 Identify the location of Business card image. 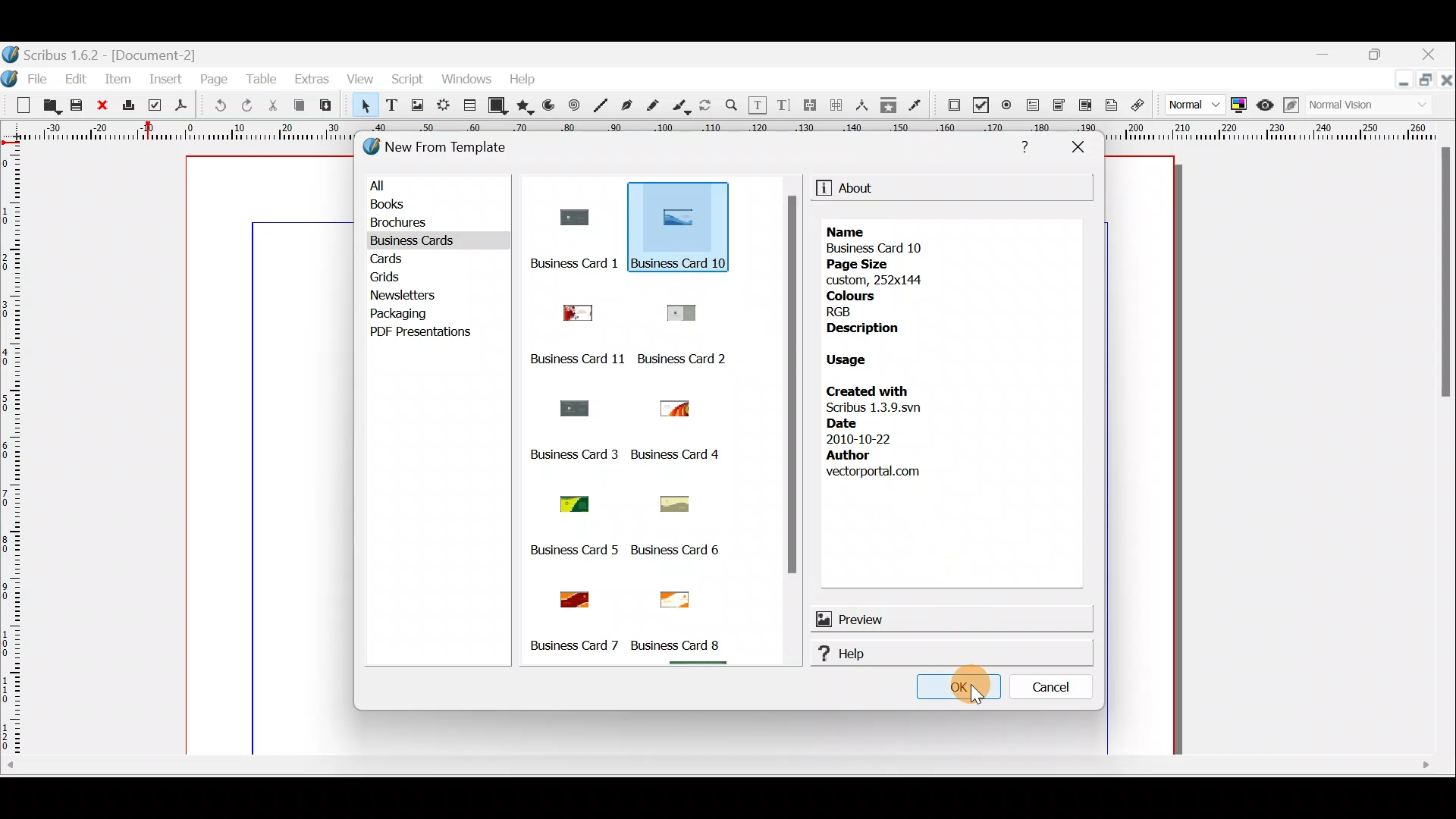
(686, 216).